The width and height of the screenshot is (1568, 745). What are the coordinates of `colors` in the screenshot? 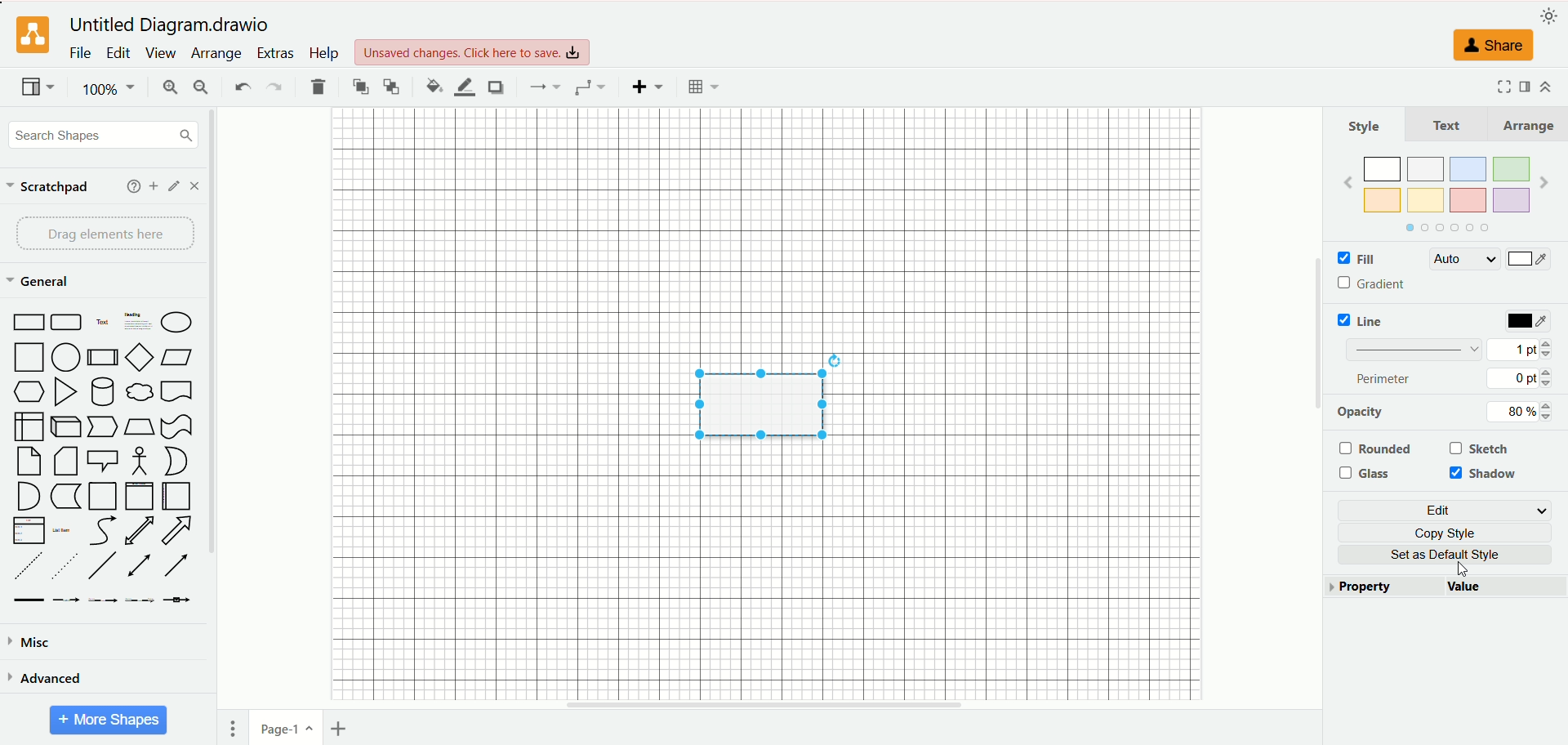 It's located at (1446, 181).